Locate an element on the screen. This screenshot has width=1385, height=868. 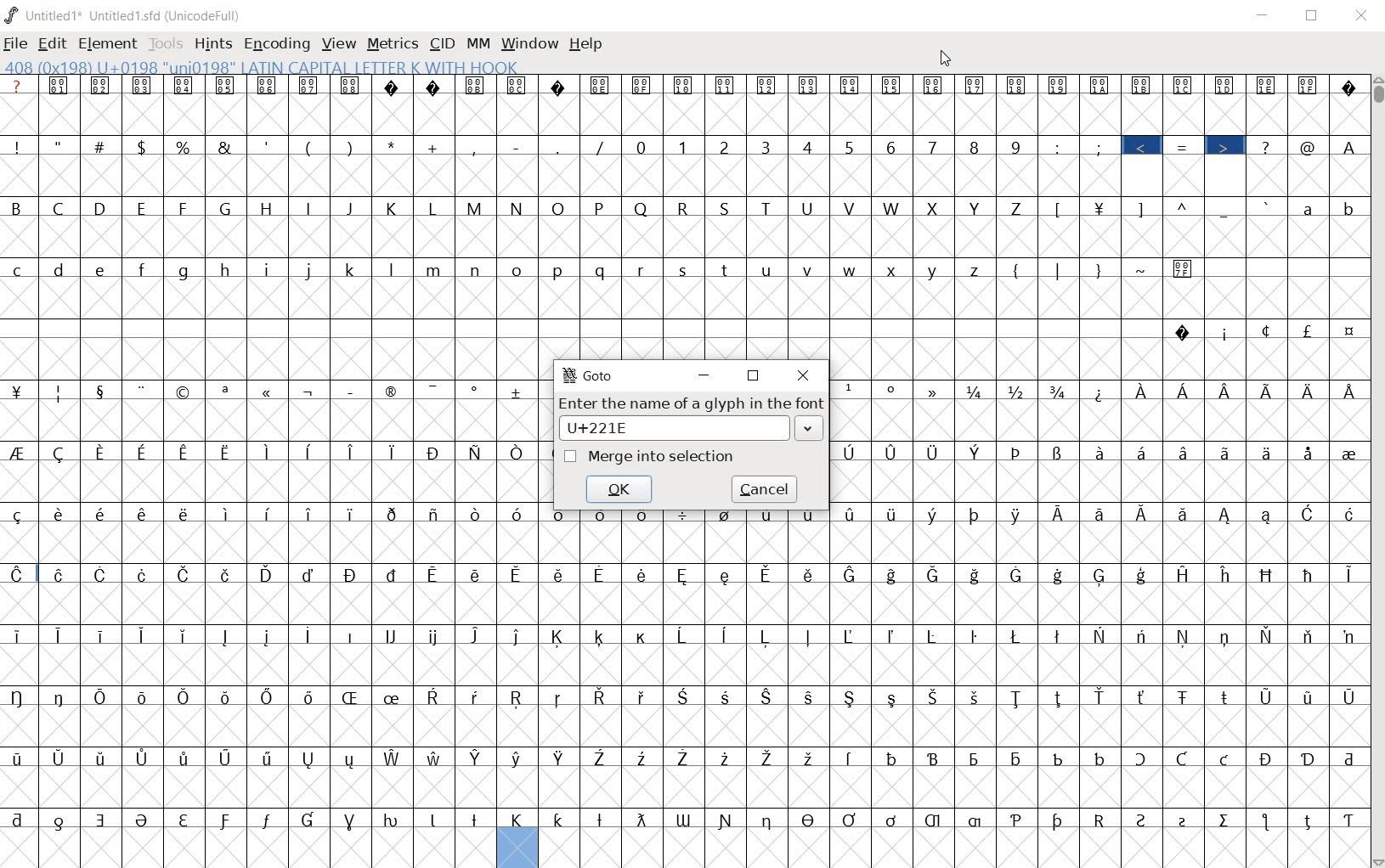
view is located at coordinates (341, 43).